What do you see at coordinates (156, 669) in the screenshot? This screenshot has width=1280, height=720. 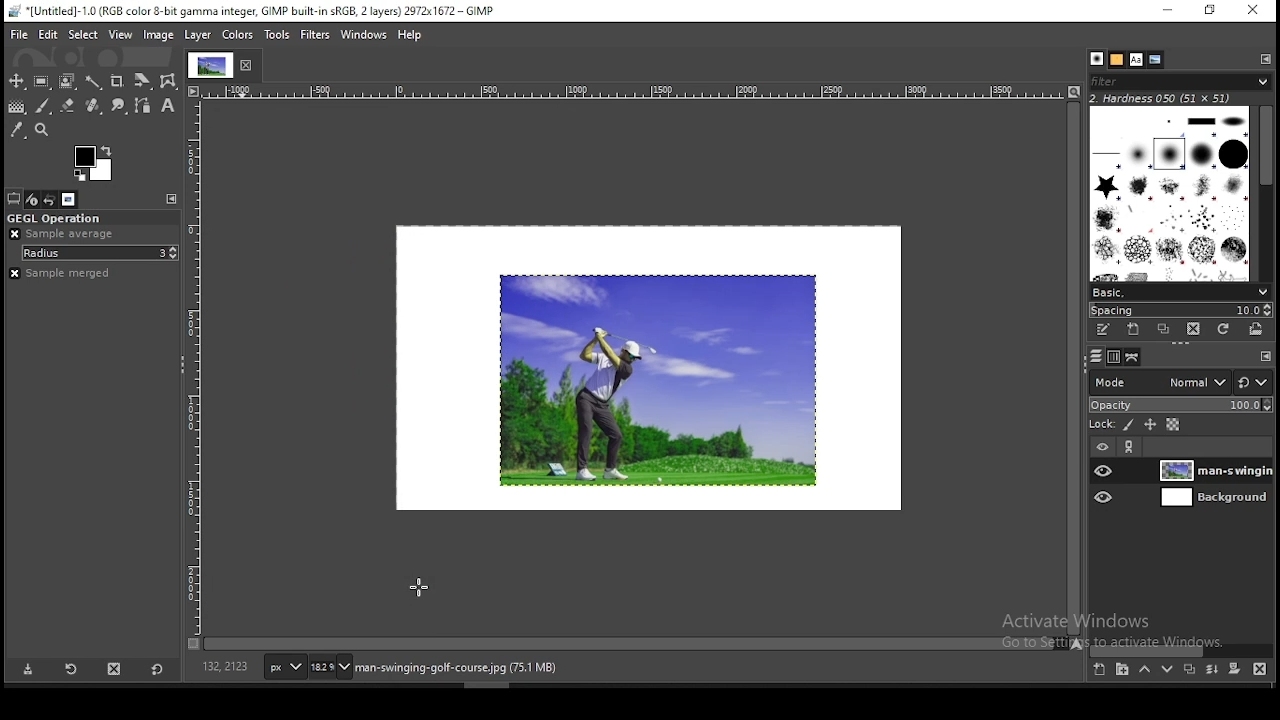 I see `restore to defaults` at bounding box center [156, 669].